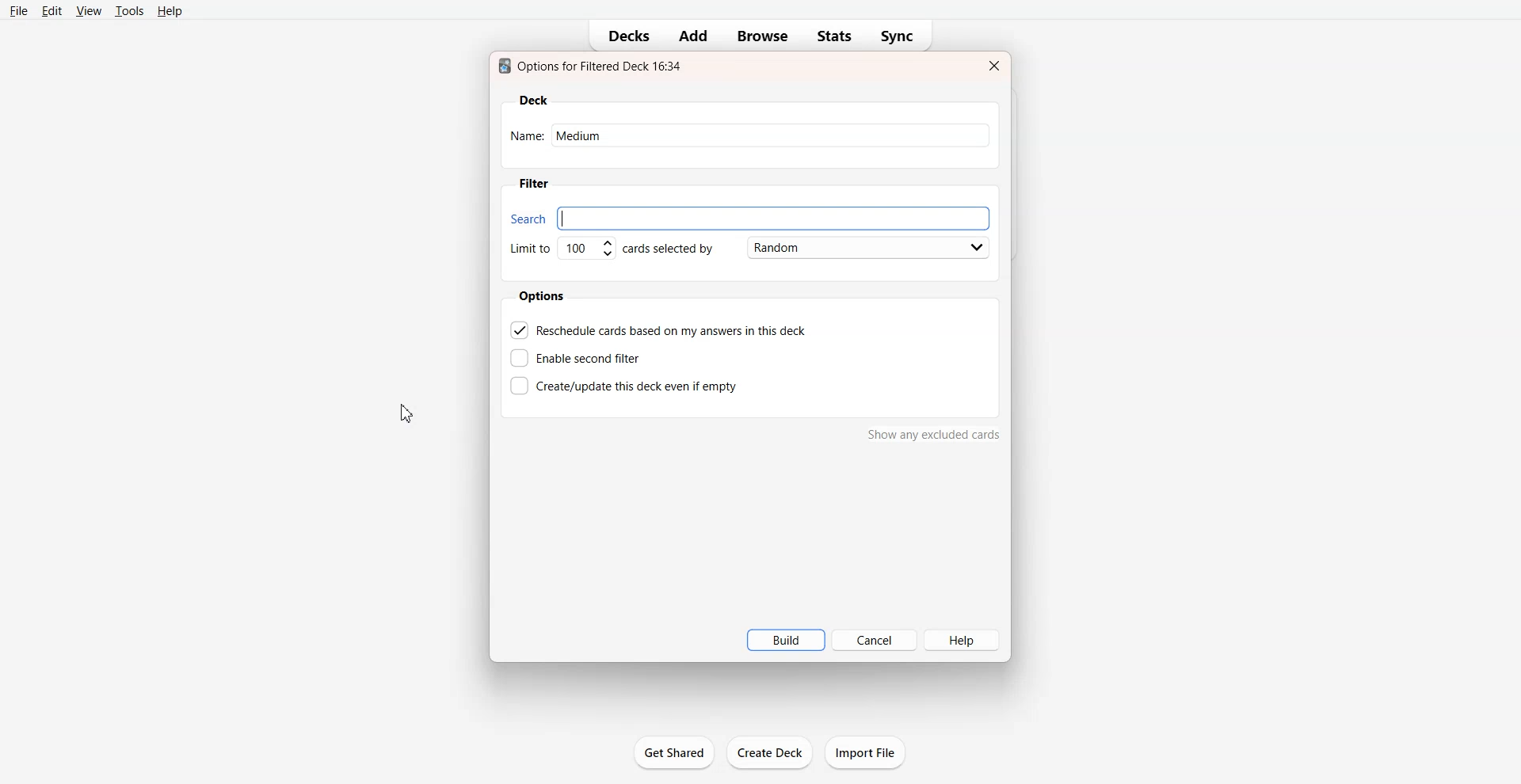  What do you see at coordinates (533, 184) in the screenshot?
I see `Filter` at bounding box center [533, 184].